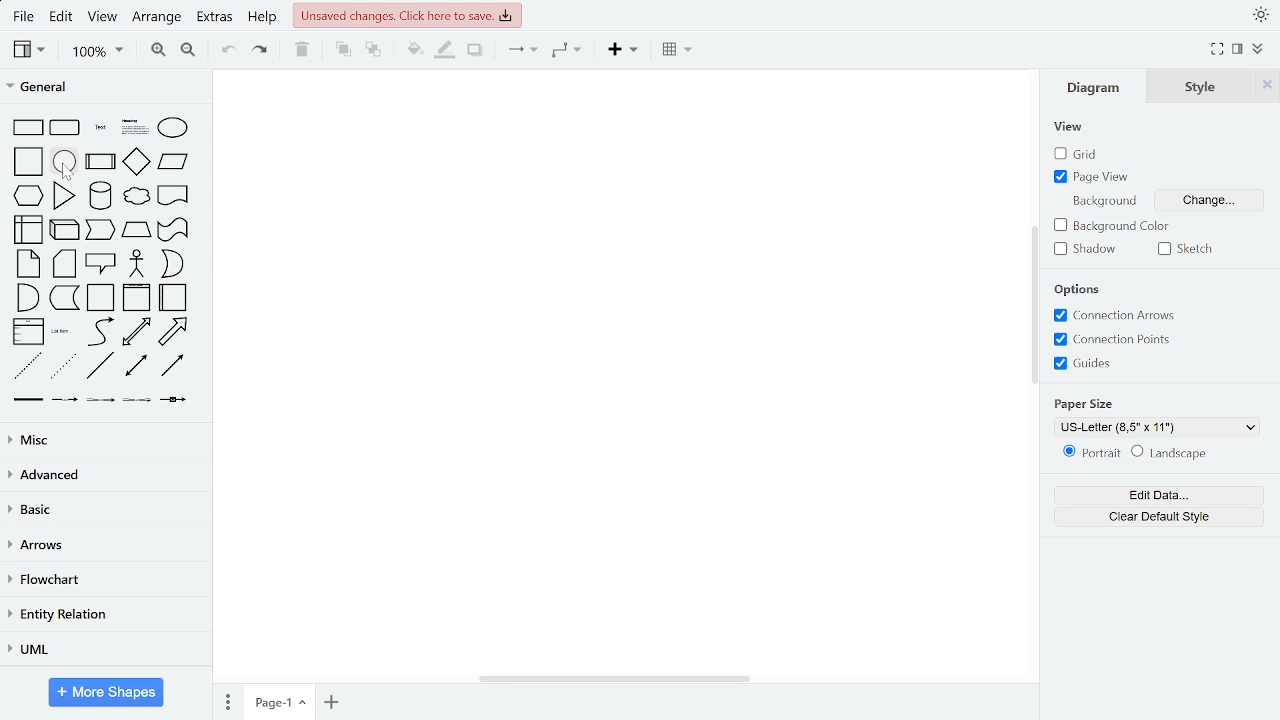  What do you see at coordinates (104, 544) in the screenshot?
I see `arrows` at bounding box center [104, 544].